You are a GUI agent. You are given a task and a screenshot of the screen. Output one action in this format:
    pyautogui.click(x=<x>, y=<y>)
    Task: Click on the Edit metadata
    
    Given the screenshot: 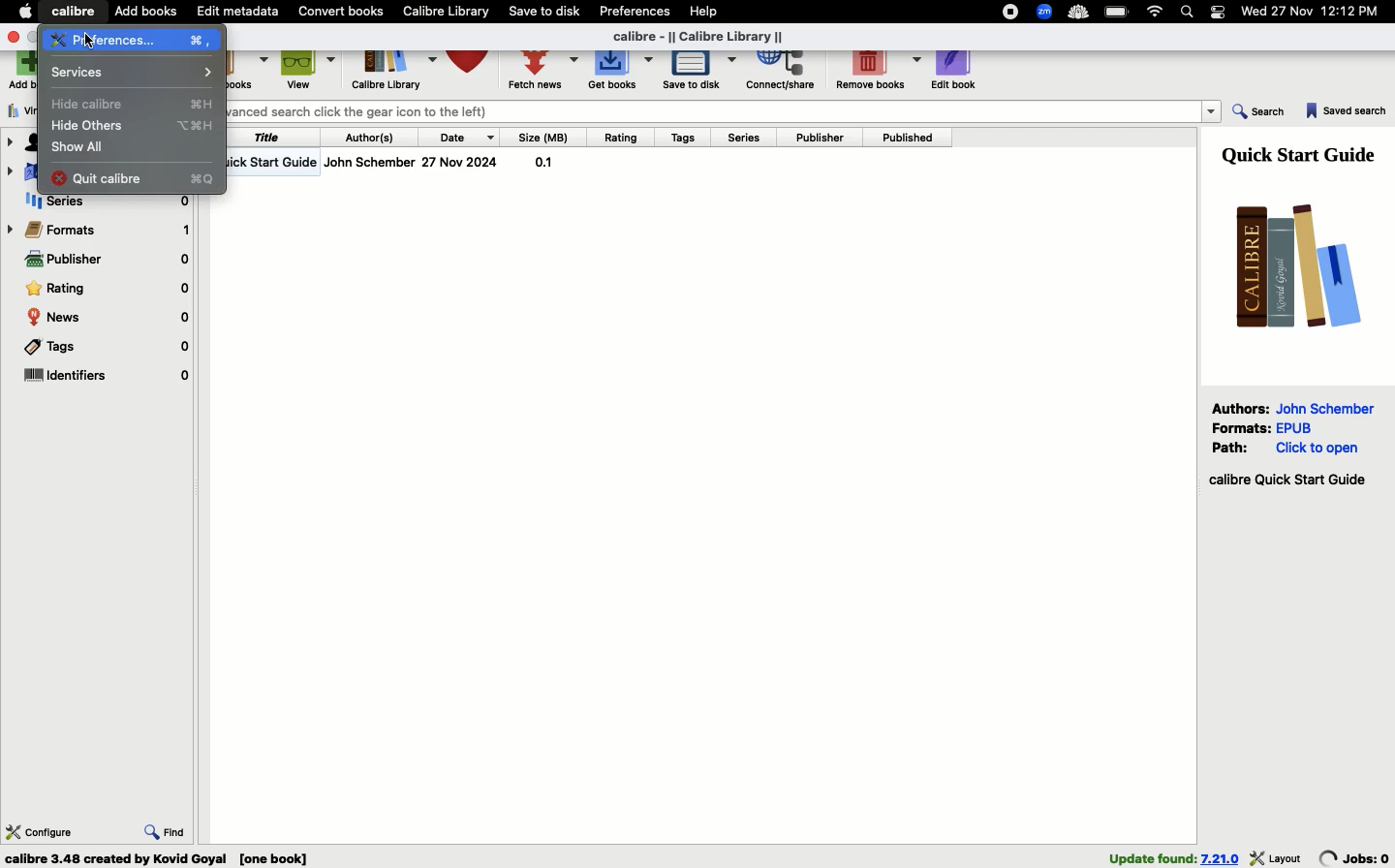 What is the action you would take?
    pyautogui.click(x=239, y=12)
    